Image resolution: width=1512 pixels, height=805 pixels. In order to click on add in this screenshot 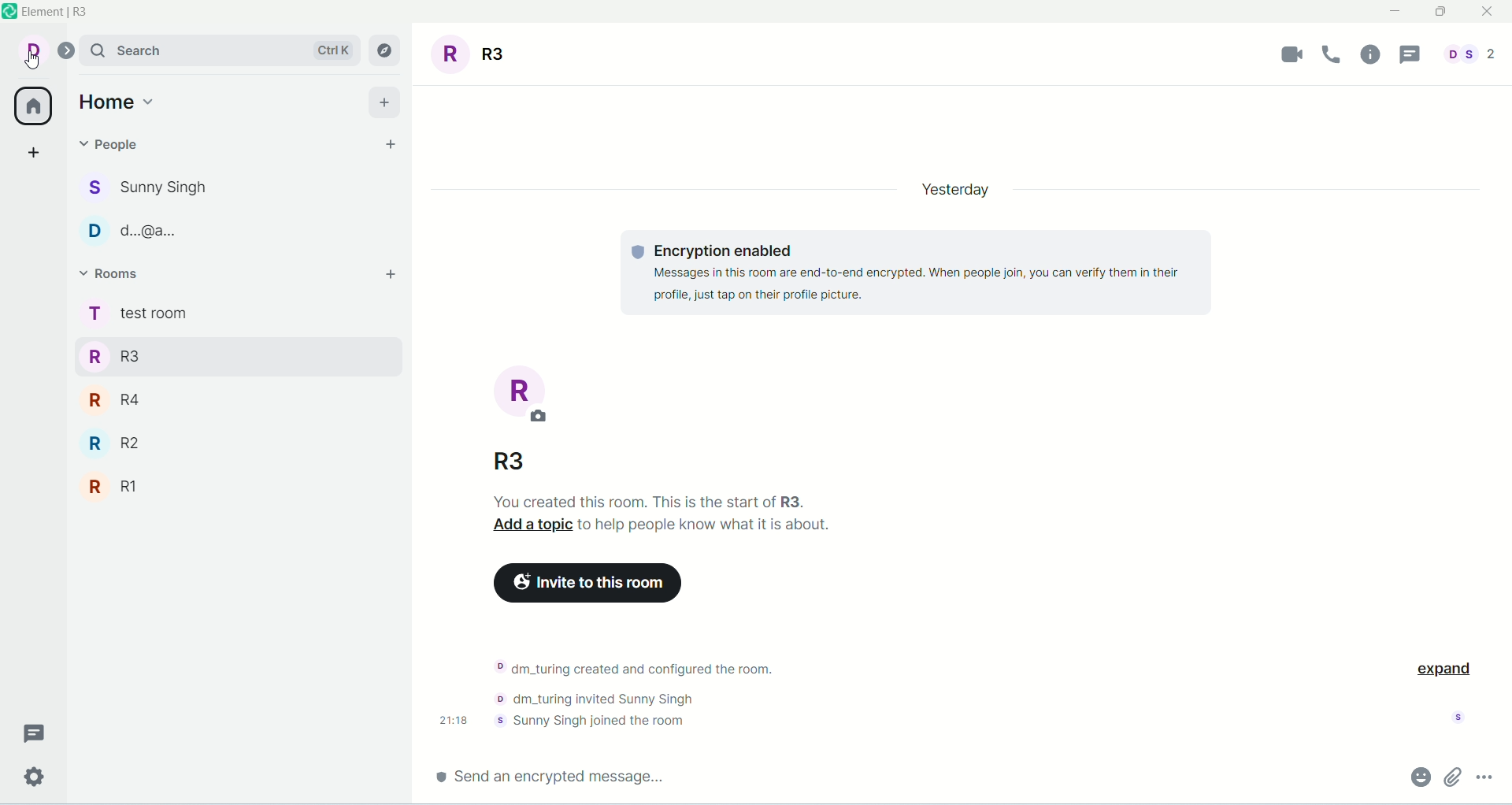, I will do `click(388, 273)`.